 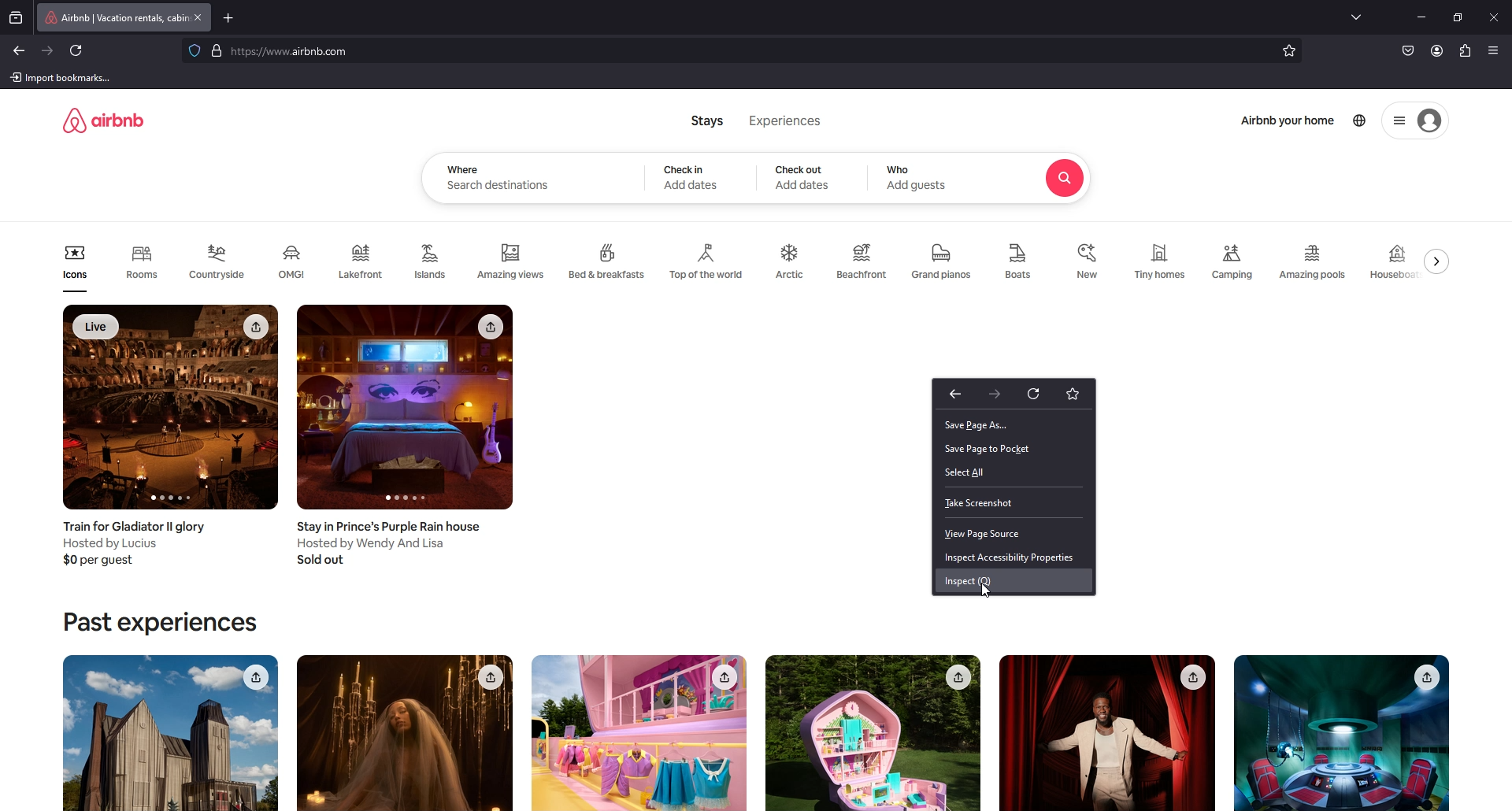 What do you see at coordinates (803, 186) in the screenshot?
I see `Add dates` at bounding box center [803, 186].